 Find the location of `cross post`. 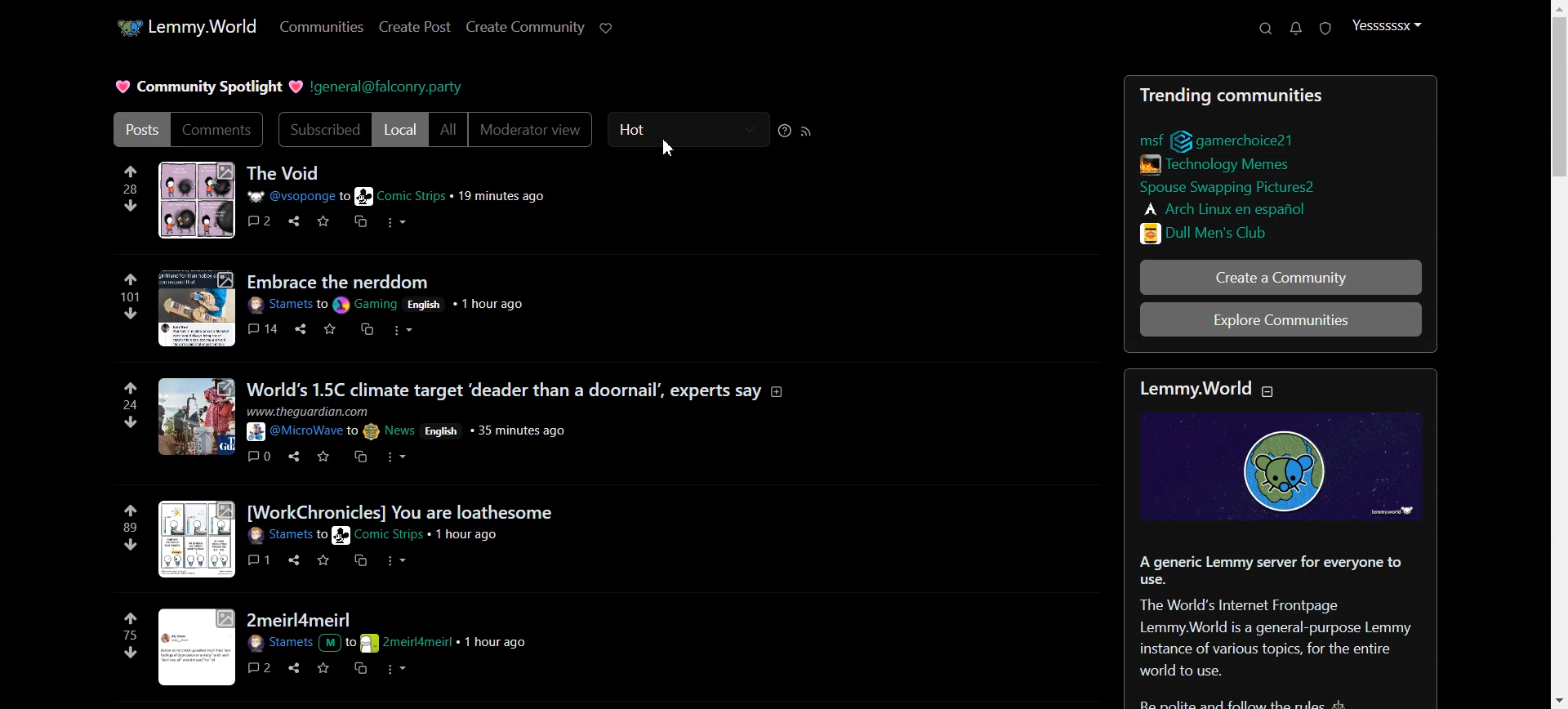

cross post is located at coordinates (367, 328).